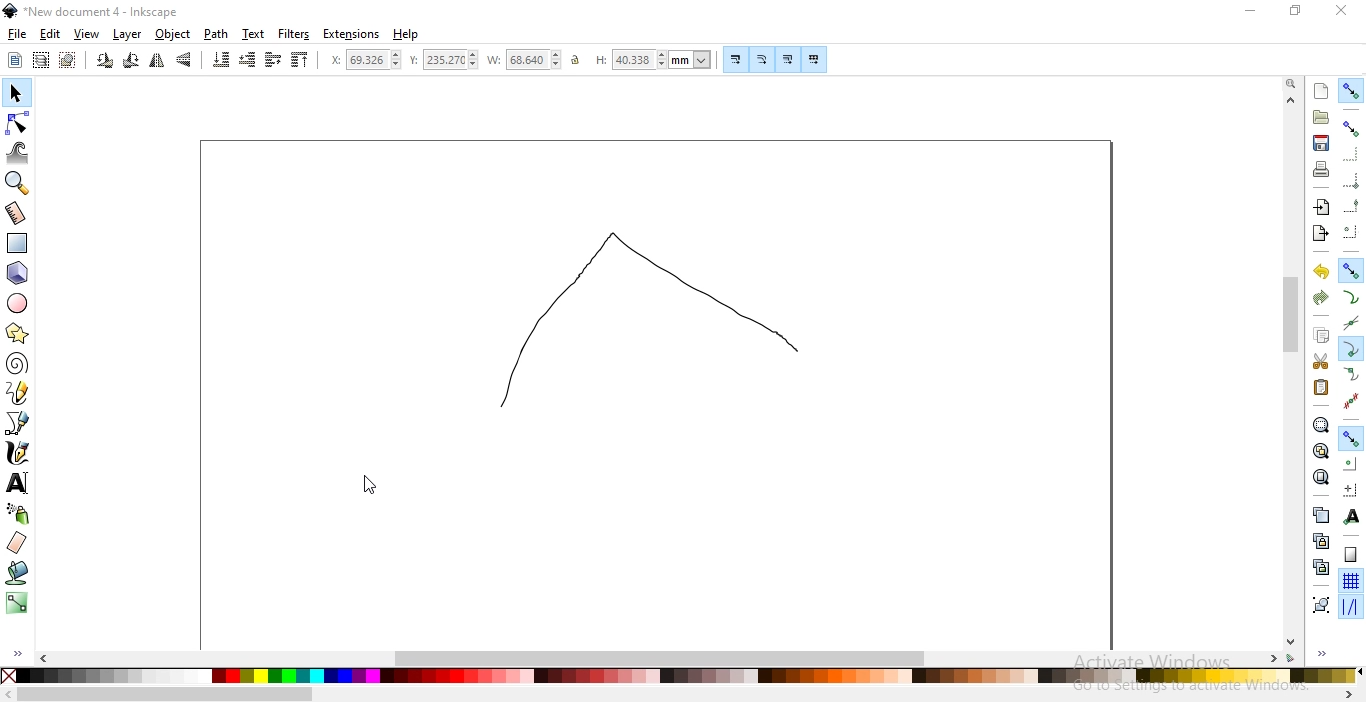 The width and height of the screenshot is (1366, 702). Describe the element at coordinates (1296, 11) in the screenshot. I see `restore down` at that location.